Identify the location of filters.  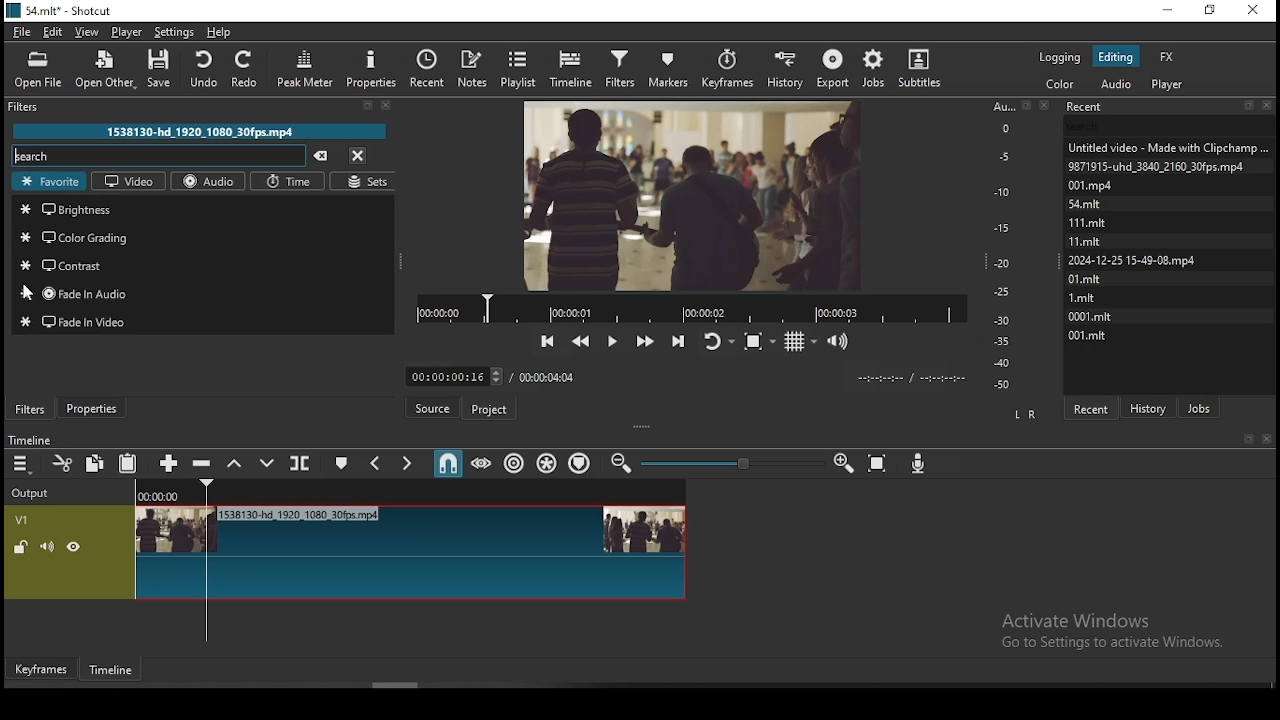
(31, 409).